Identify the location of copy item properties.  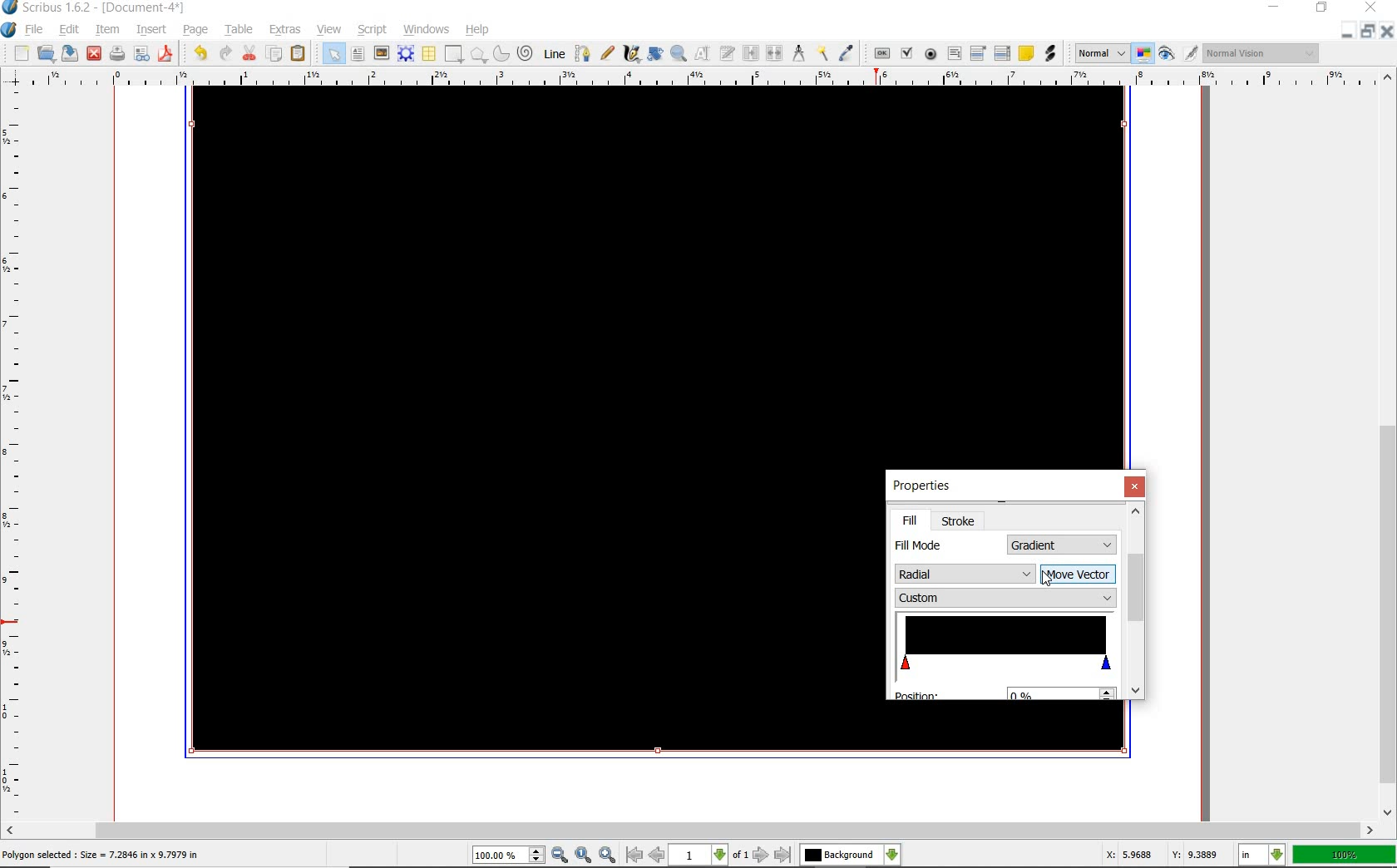
(822, 53).